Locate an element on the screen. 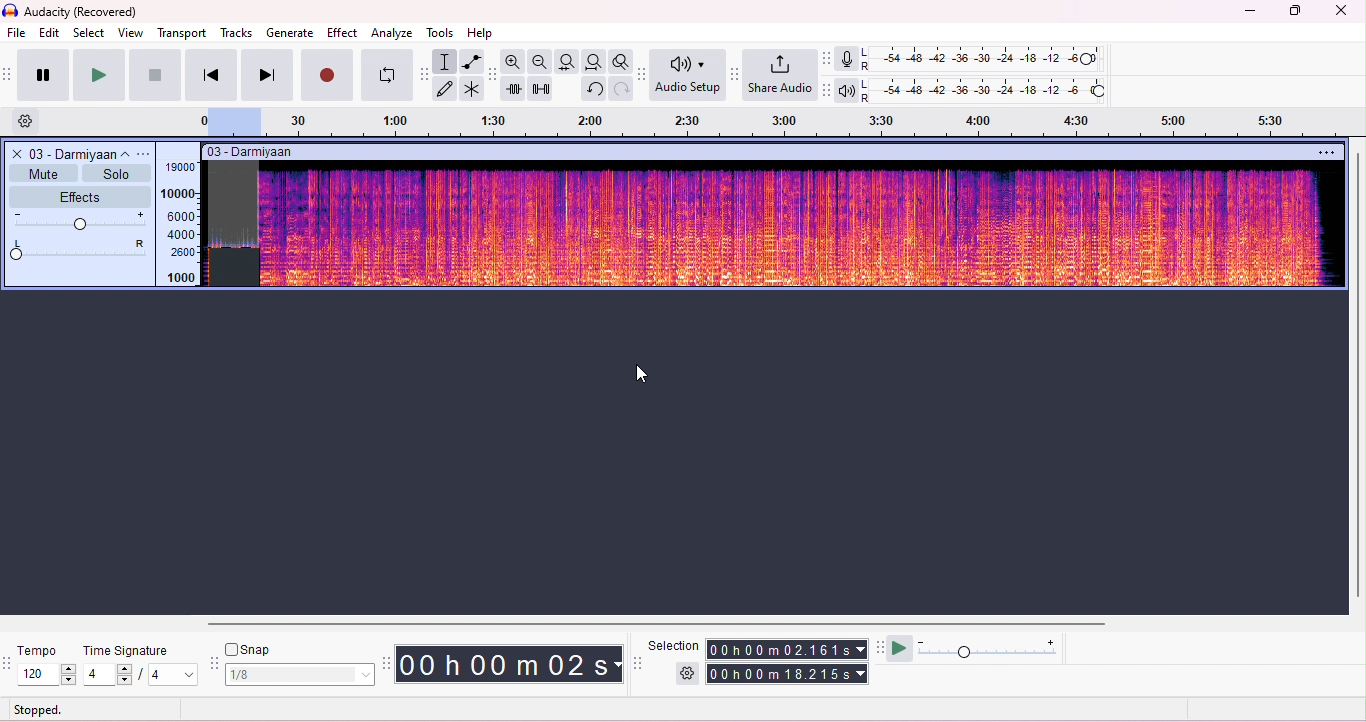  mute is located at coordinates (44, 172).